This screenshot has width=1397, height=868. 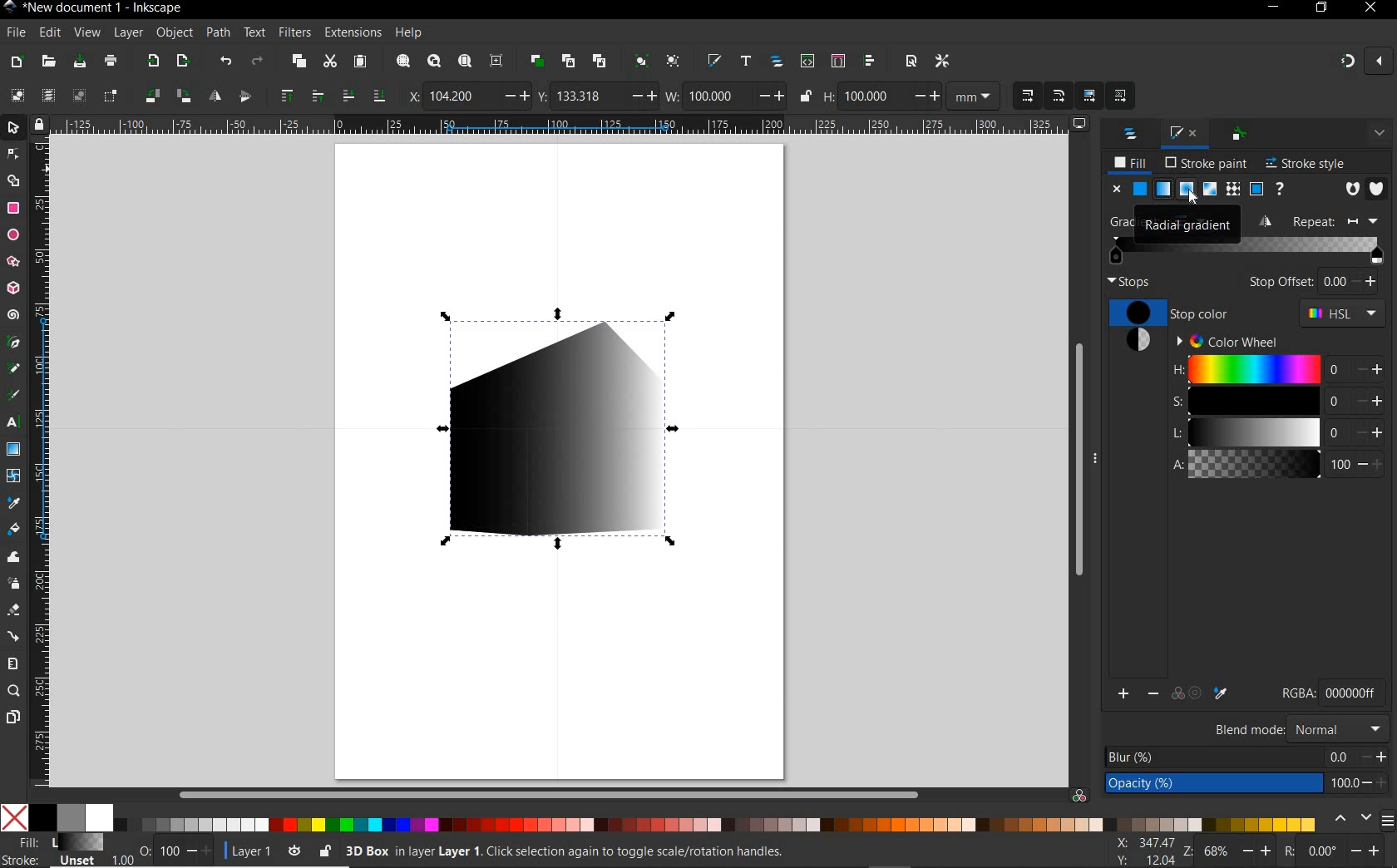 What do you see at coordinates (1258, 851) in the screenshot?
I see `increase/decrease` at bounding box center [1258, 851].